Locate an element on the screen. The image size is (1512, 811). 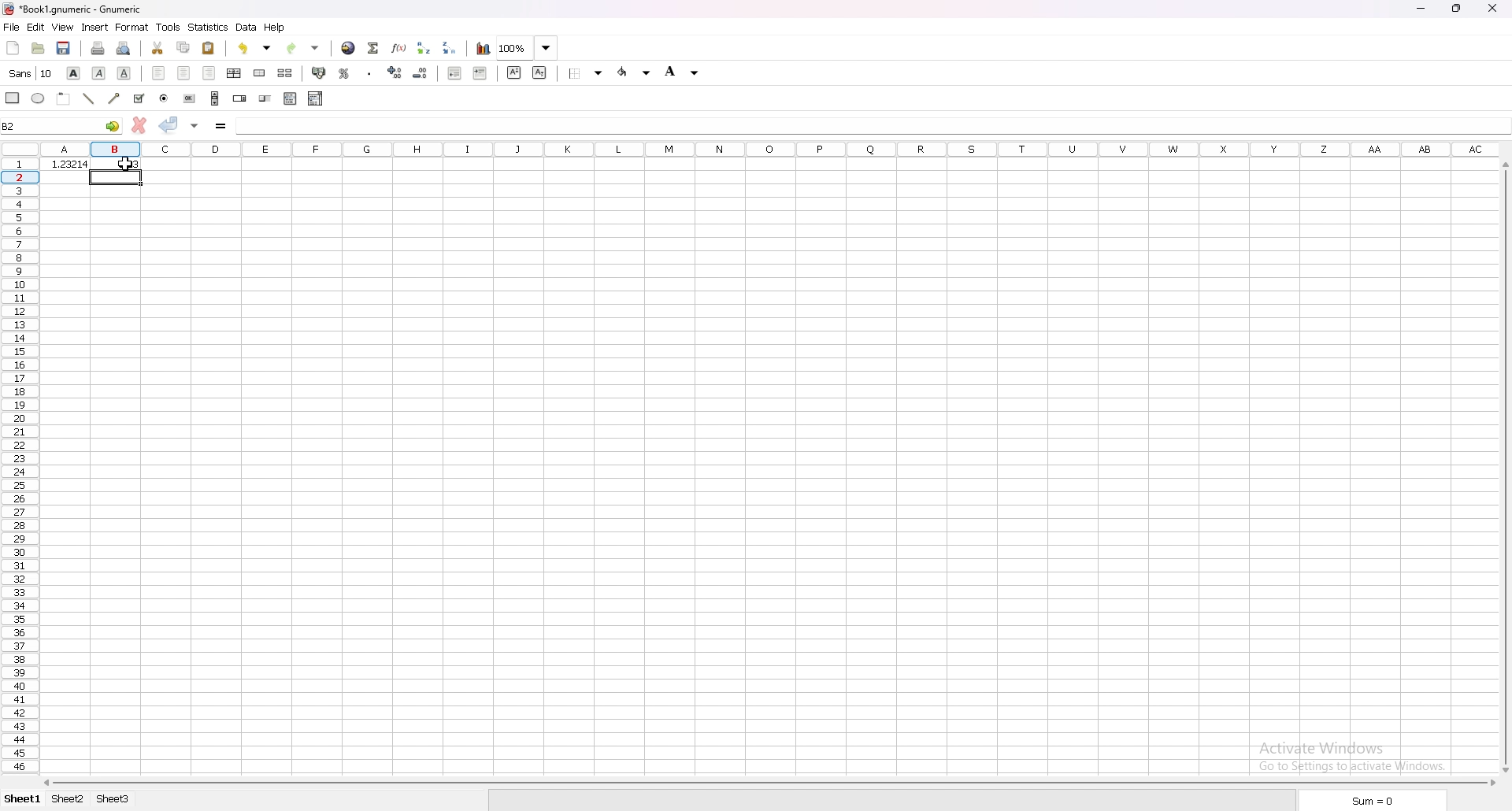
new is located at coordinates (13, 47).